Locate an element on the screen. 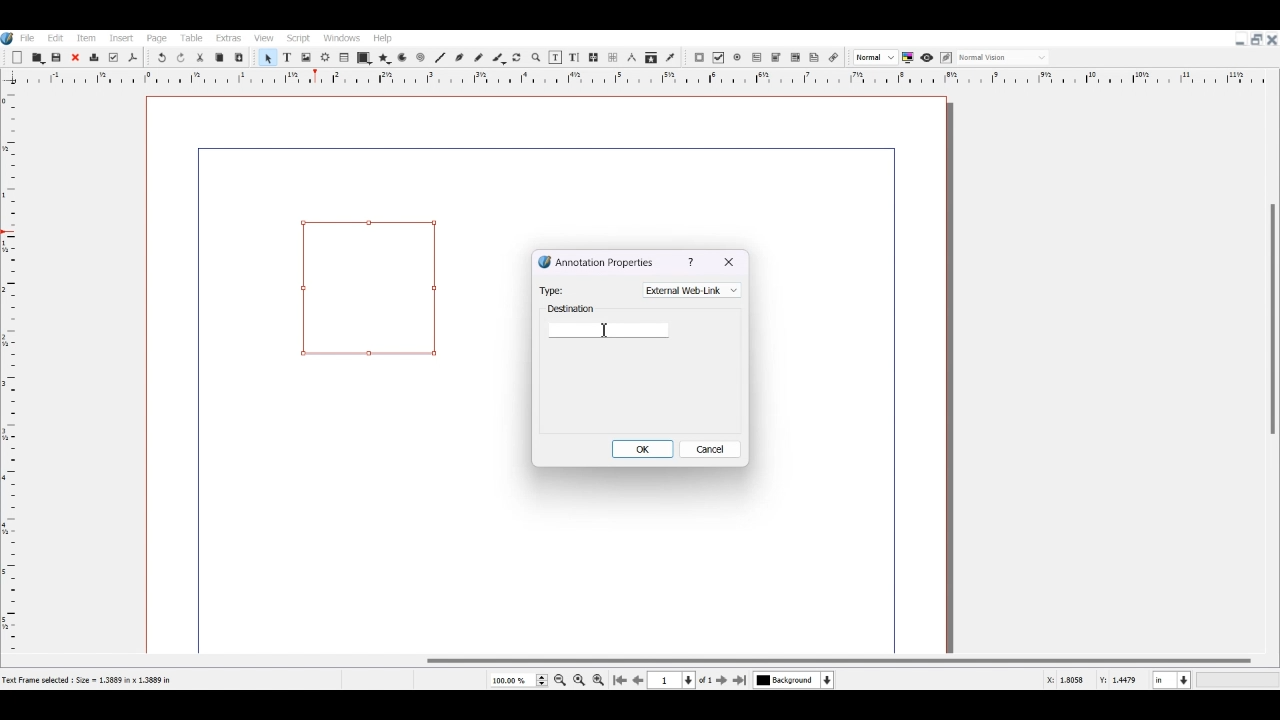 The width and height of the screenshot is (1280, 720). Delete is located at coordinates (93, 58).